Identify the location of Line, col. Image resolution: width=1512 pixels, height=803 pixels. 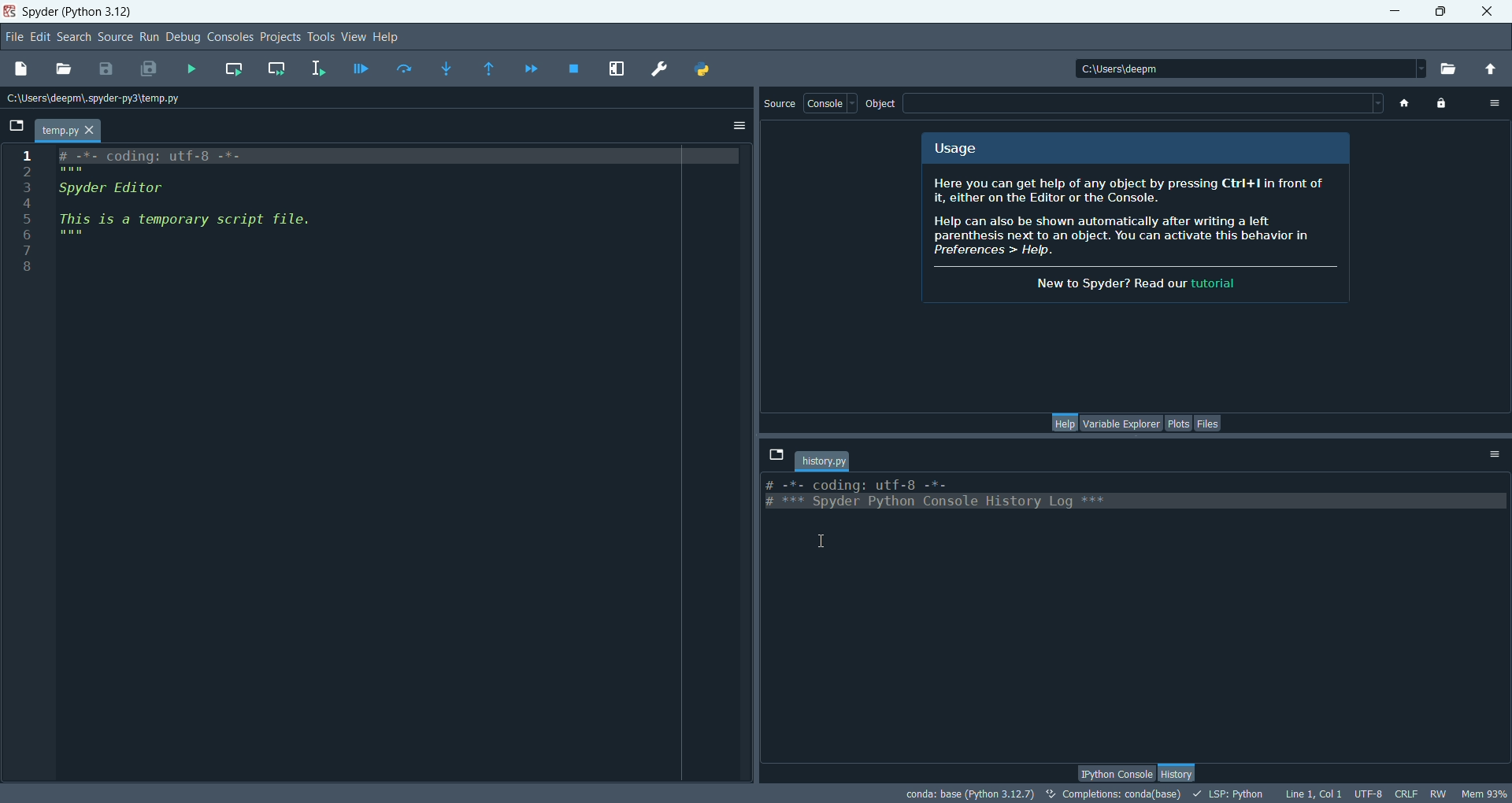
(1310, 793).